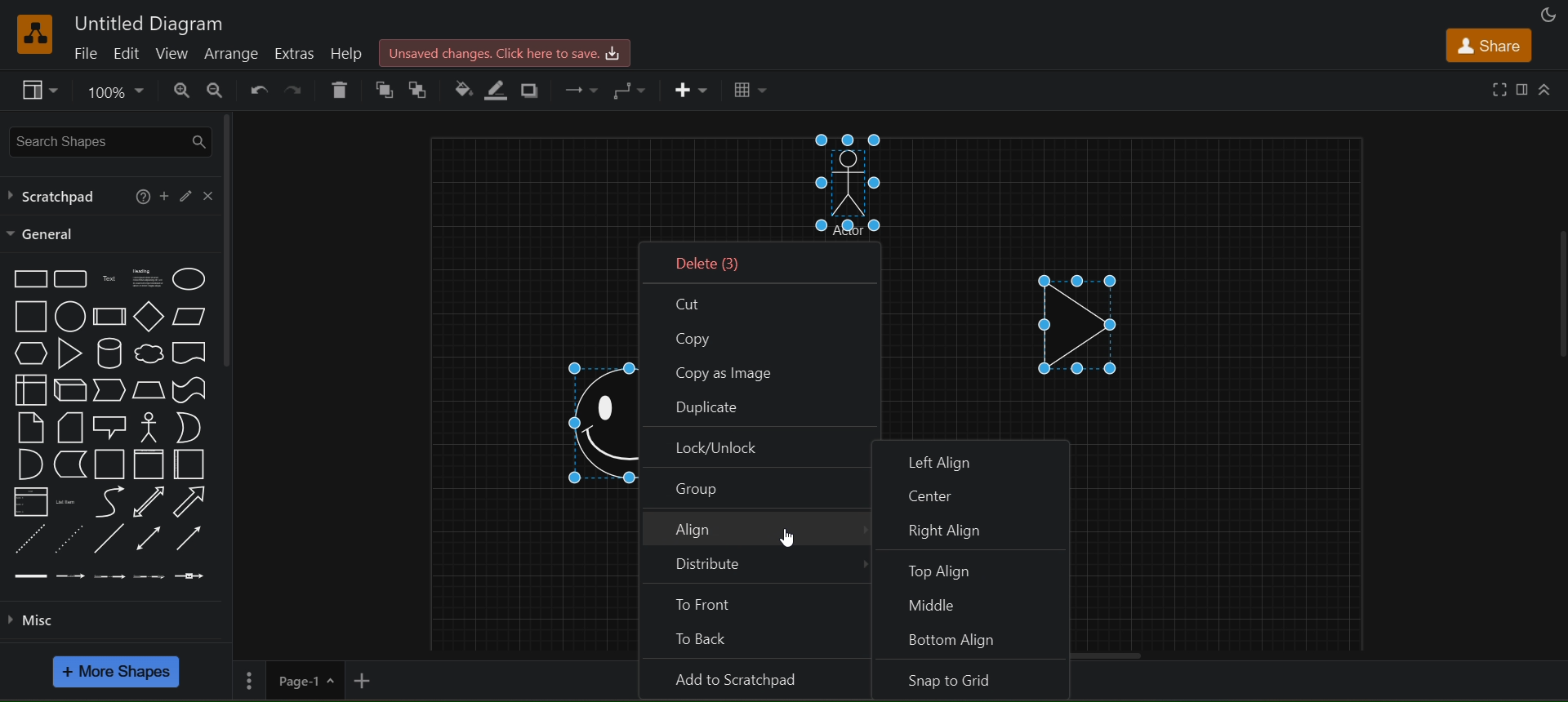 Image resolution: width=1568 pixels, height=702 pixels. Describe the element at coordinates (149, 353) in the screenshot. I see `cloud` at that location.